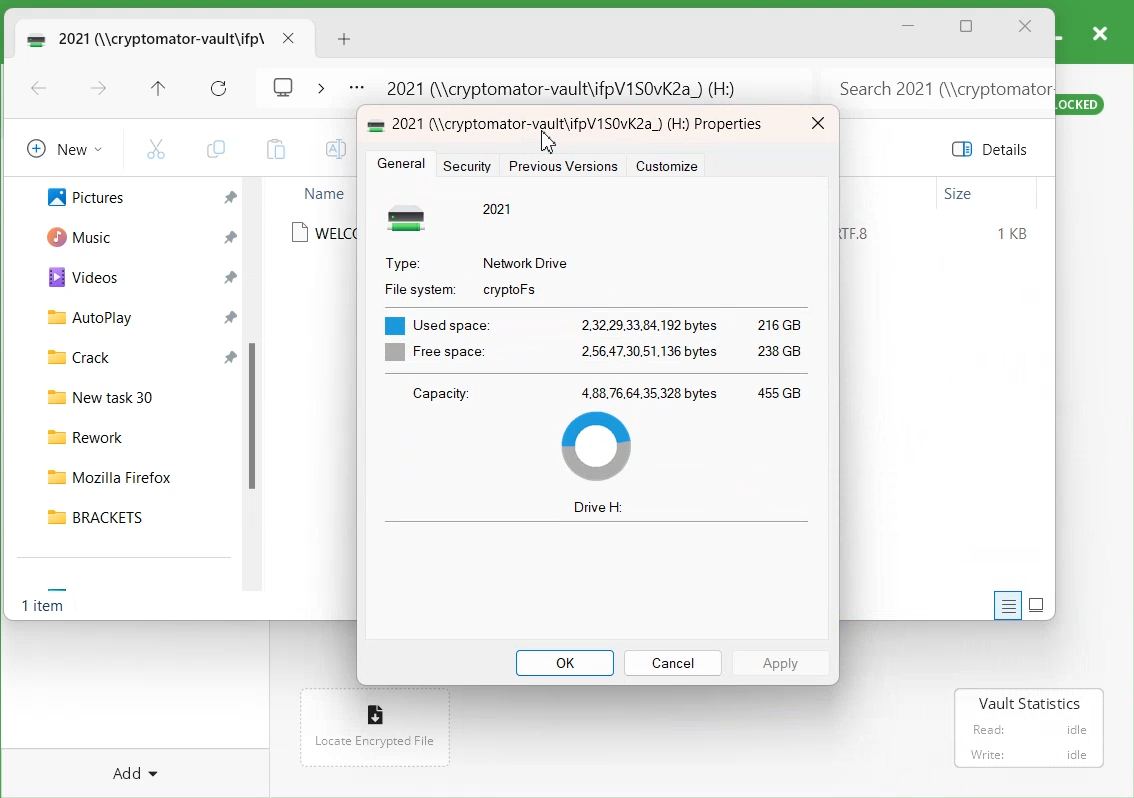 The image size is (1134, 798). What do you see at coordinates (70, 355) in the screenshot?
I see `Crack` at bounding box center [70, 355].